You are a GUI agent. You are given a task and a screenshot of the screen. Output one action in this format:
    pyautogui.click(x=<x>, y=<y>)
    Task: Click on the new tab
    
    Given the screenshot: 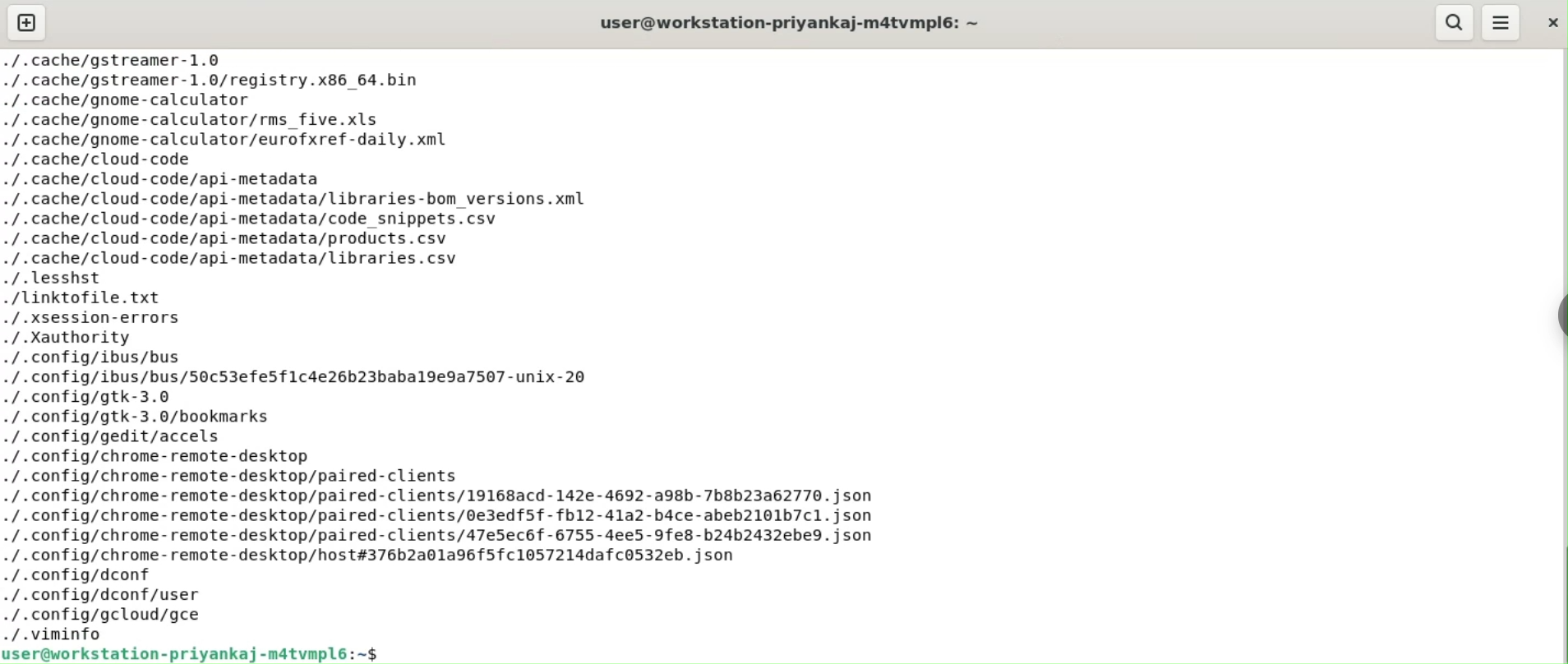 What is the action you would take?
    pyautogui.click(x=24, y=22)
    